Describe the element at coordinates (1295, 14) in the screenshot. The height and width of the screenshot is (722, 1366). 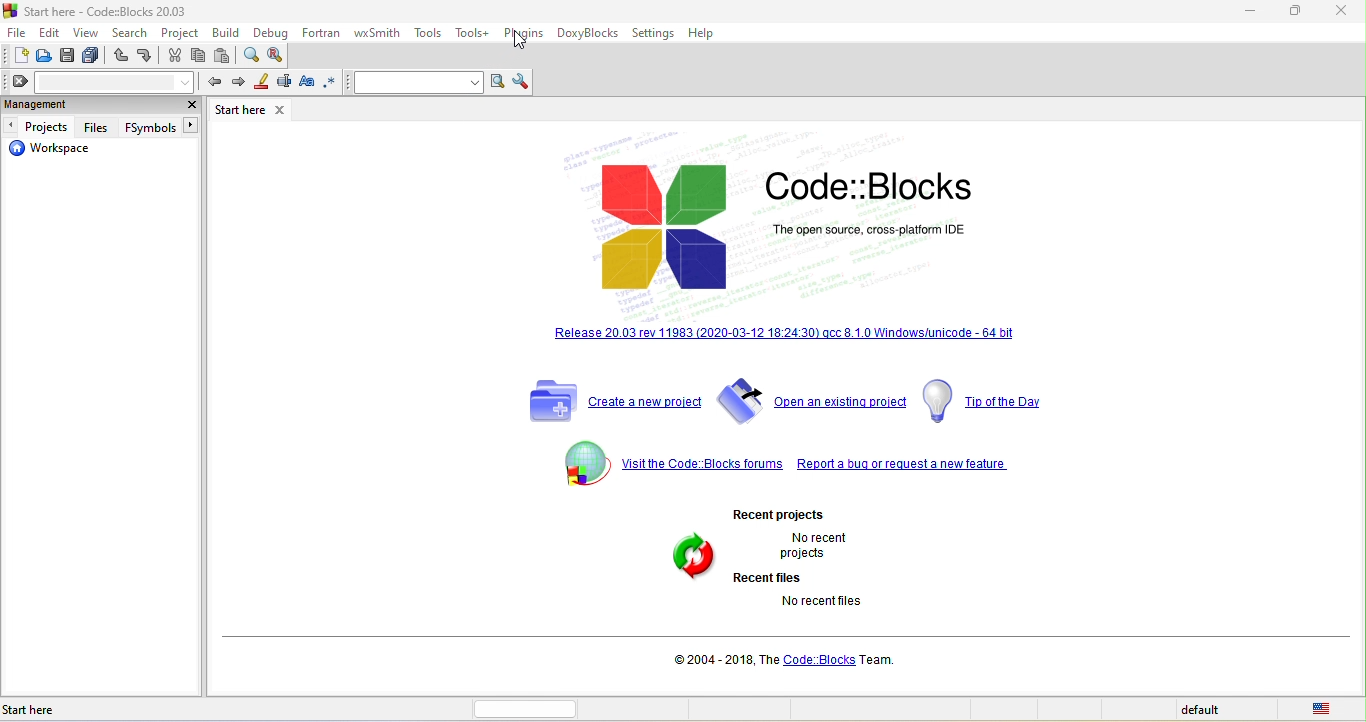
I see `minimize` at that location.